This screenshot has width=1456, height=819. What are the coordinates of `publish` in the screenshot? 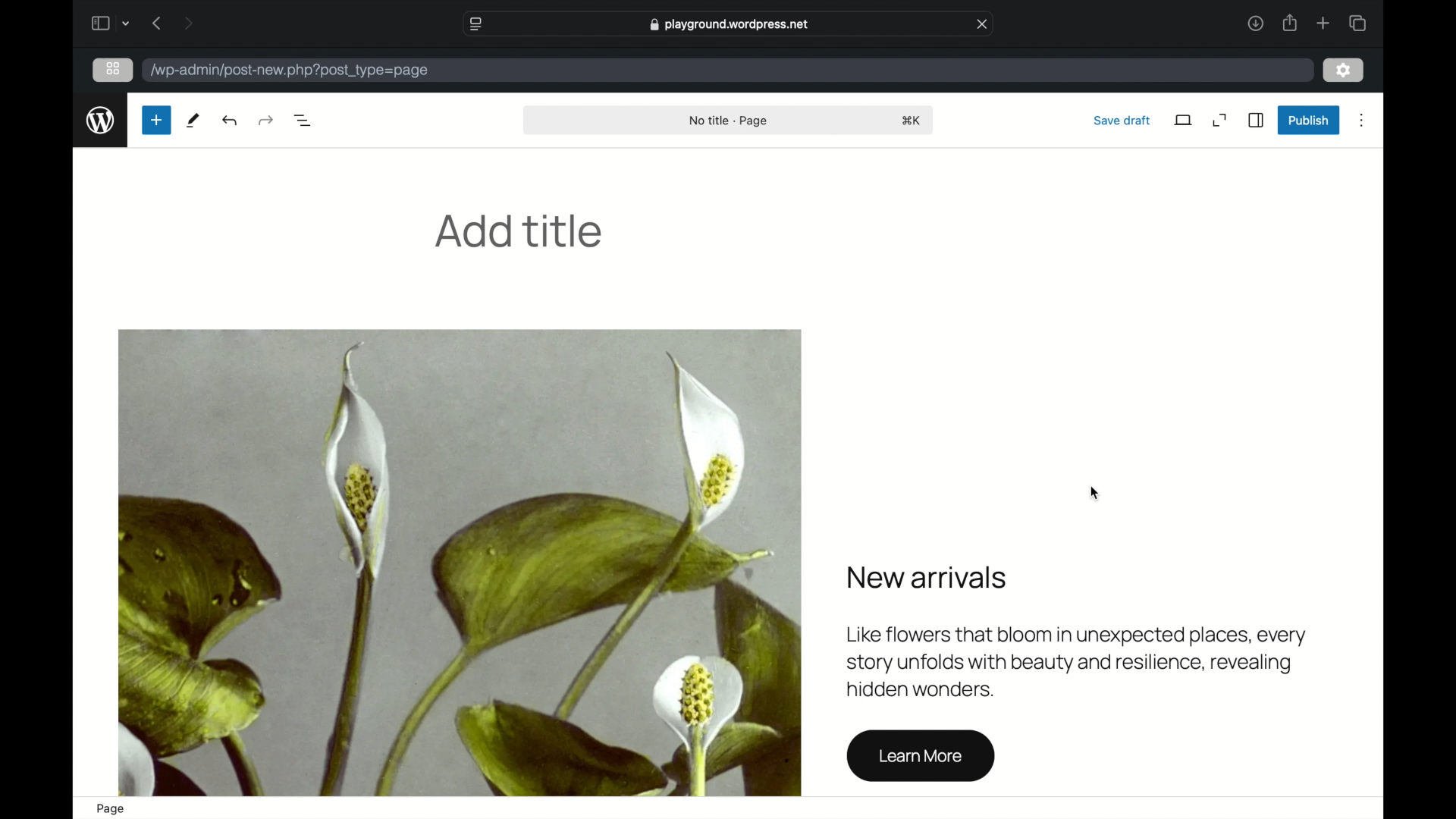 It's located at (1307, 120).